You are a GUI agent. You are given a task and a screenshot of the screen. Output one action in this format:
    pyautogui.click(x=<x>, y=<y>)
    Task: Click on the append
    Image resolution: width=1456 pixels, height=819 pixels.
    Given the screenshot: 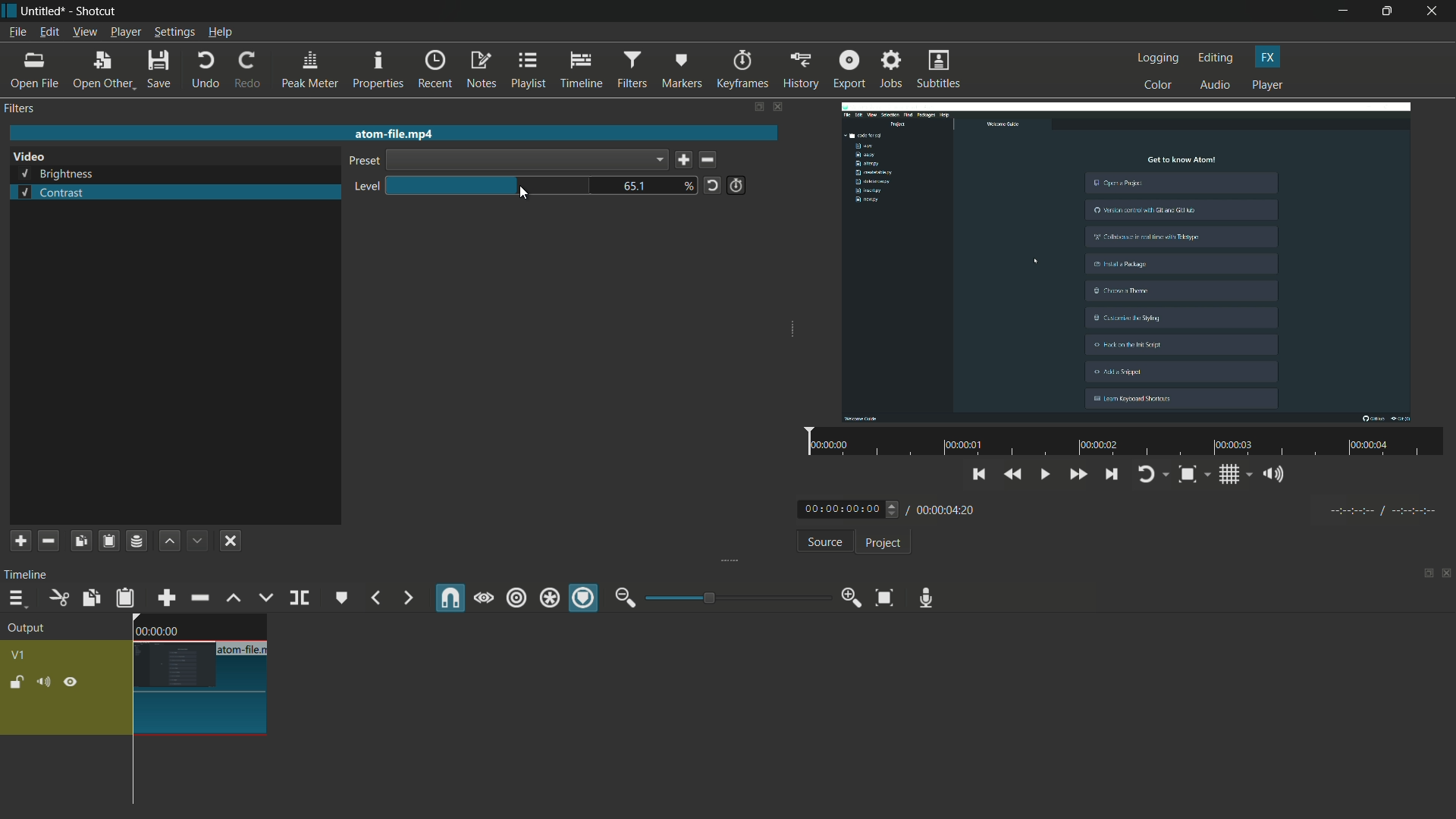 What is the action you would take?
    pyautogui.click(x=165, y=598)
    